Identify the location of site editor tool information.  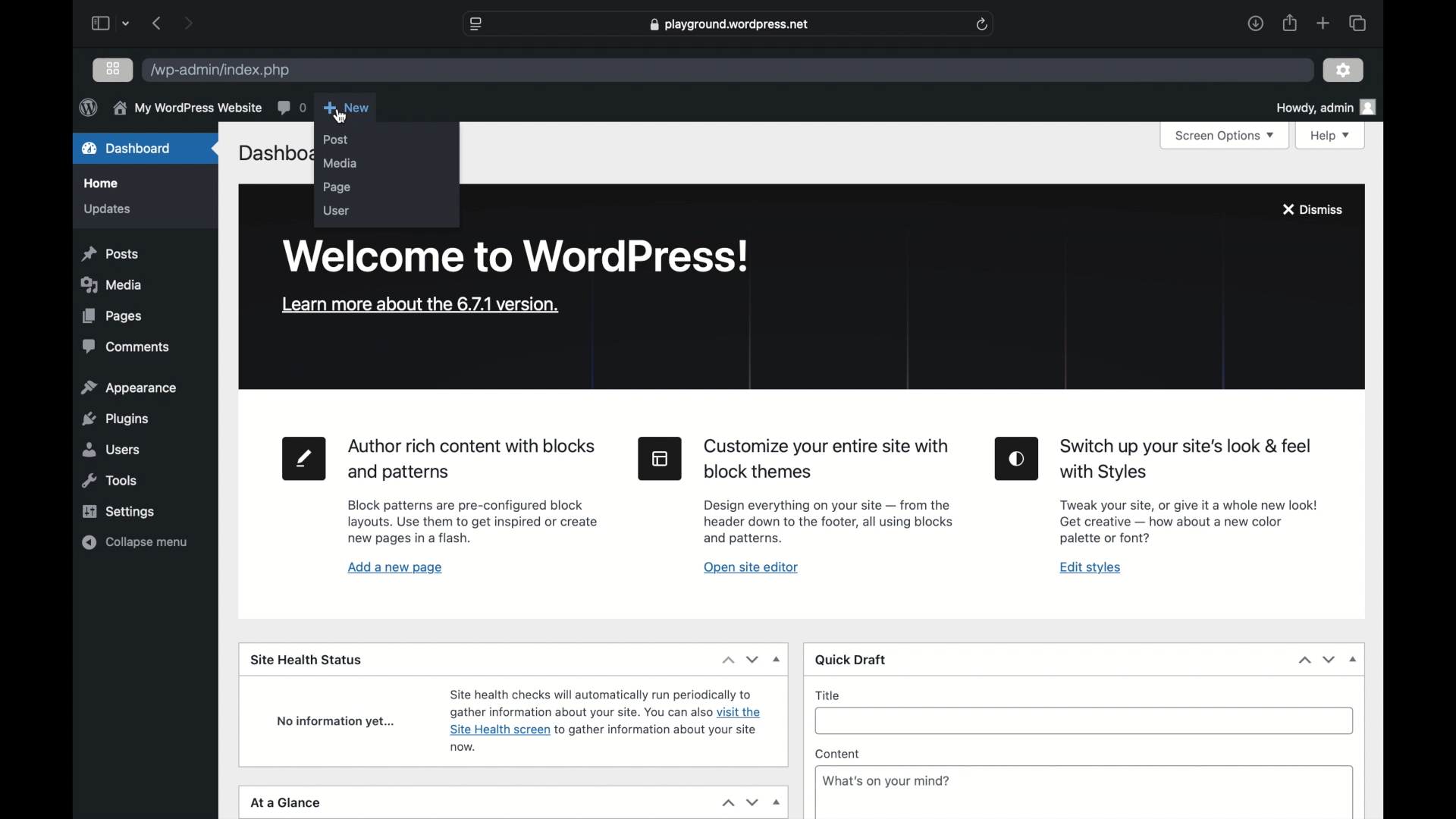
(828, 522).